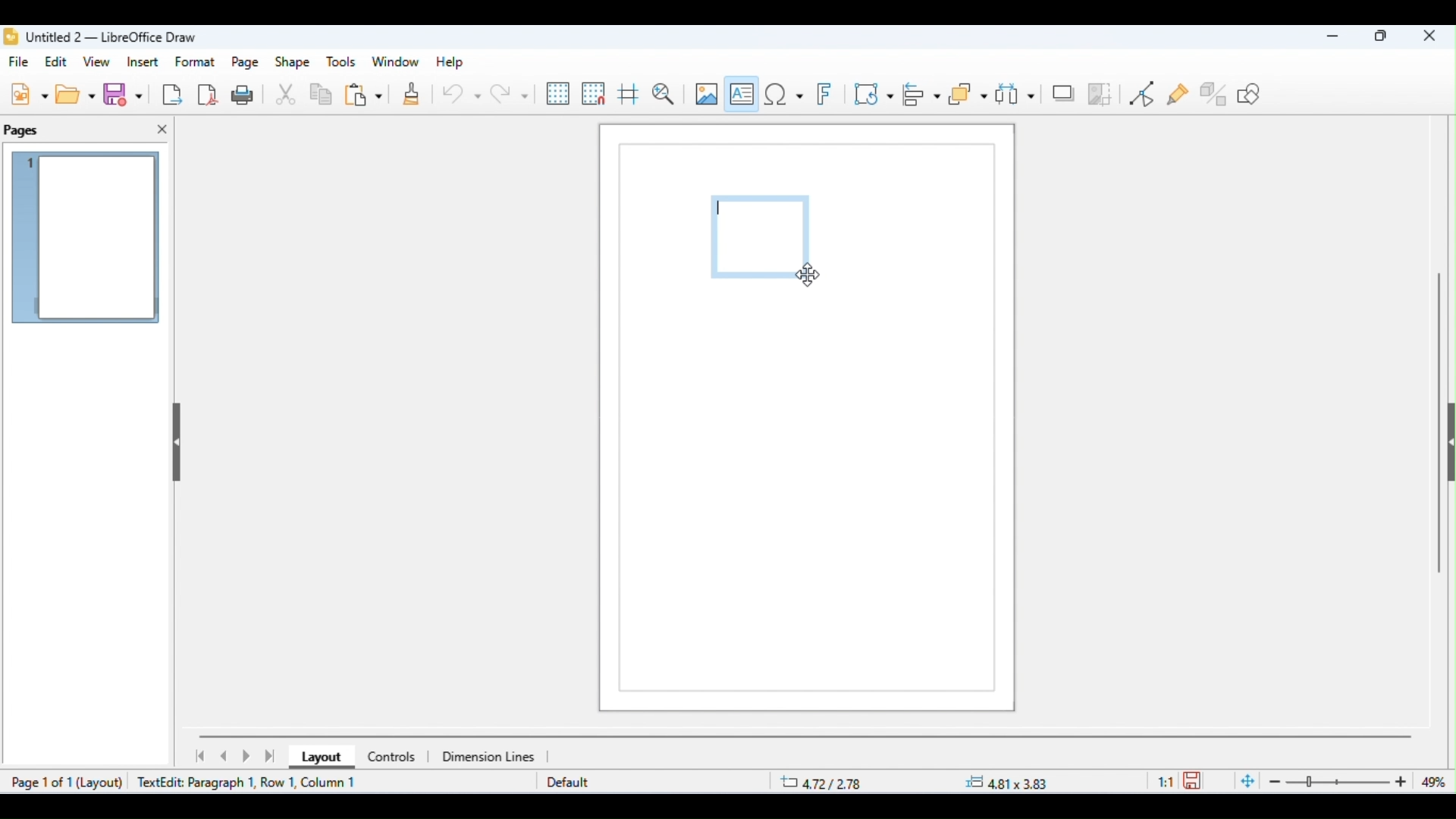  Describe the element at coordinates (391, 757) in the screenshot. I see `controls` at that location.